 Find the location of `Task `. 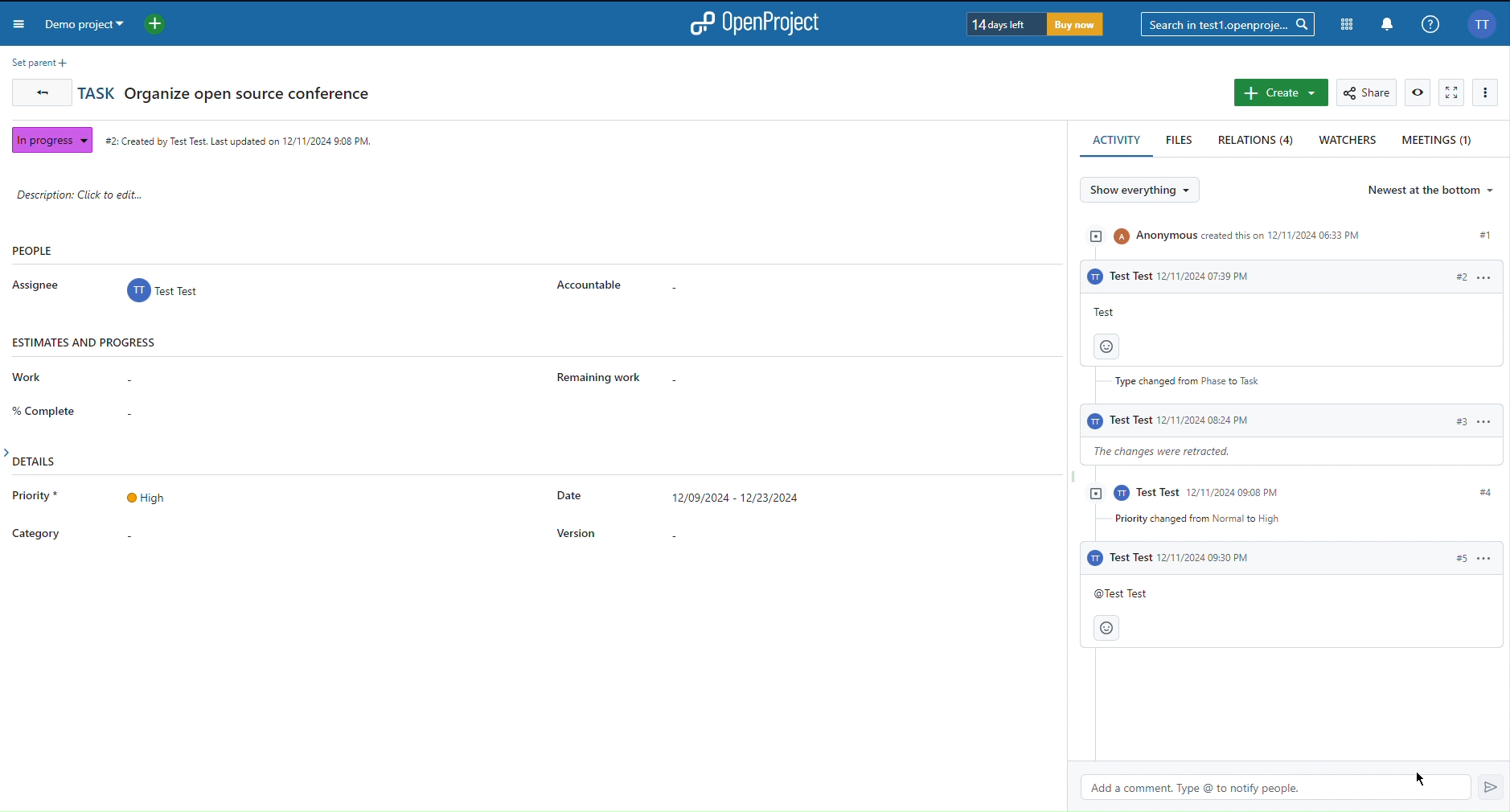

Task  is located at coordinates (227, 92).